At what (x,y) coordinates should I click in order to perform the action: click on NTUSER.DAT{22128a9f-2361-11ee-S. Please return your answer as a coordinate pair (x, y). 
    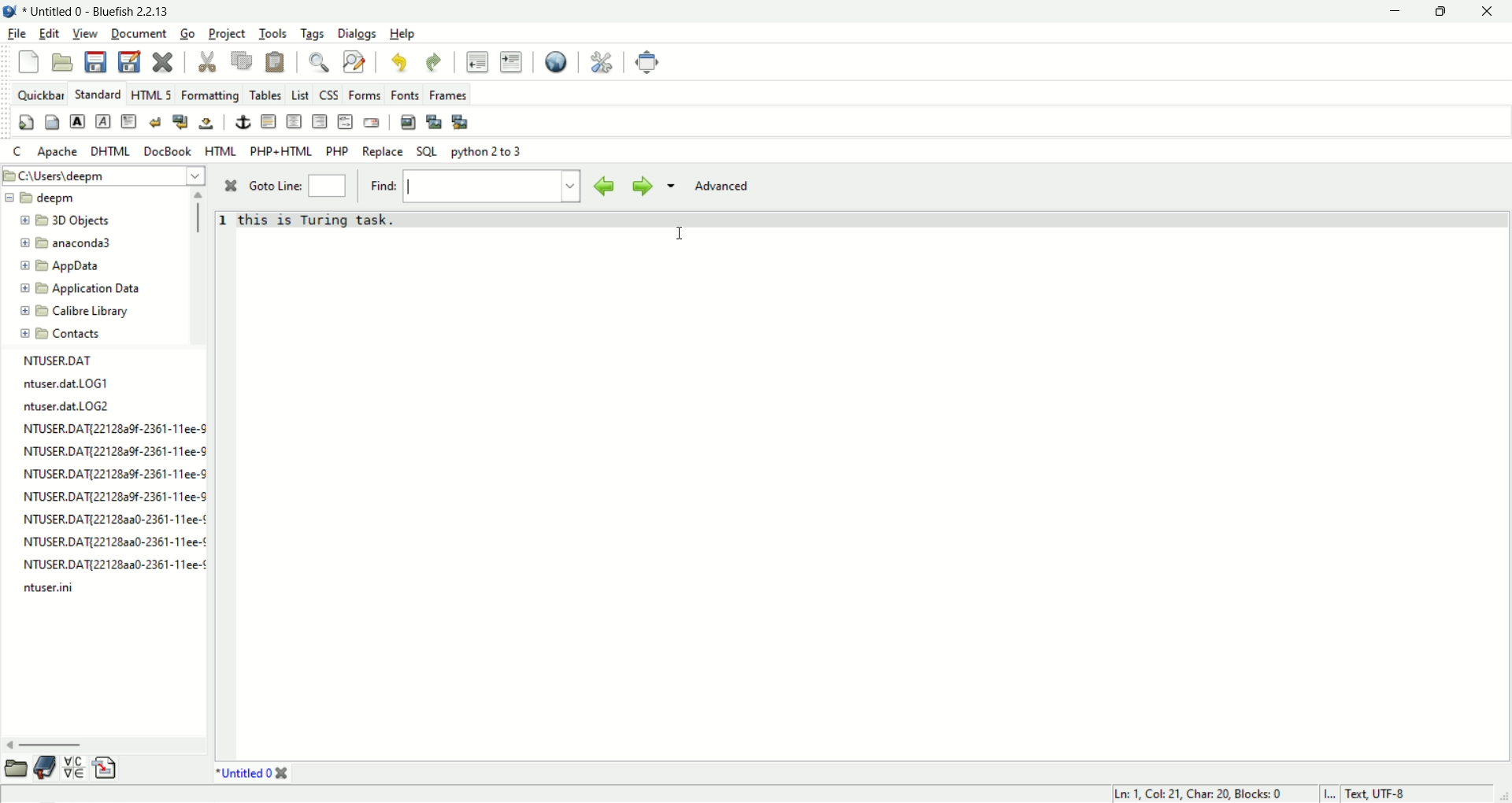
    Looking at the image, I should click on (106, 431).